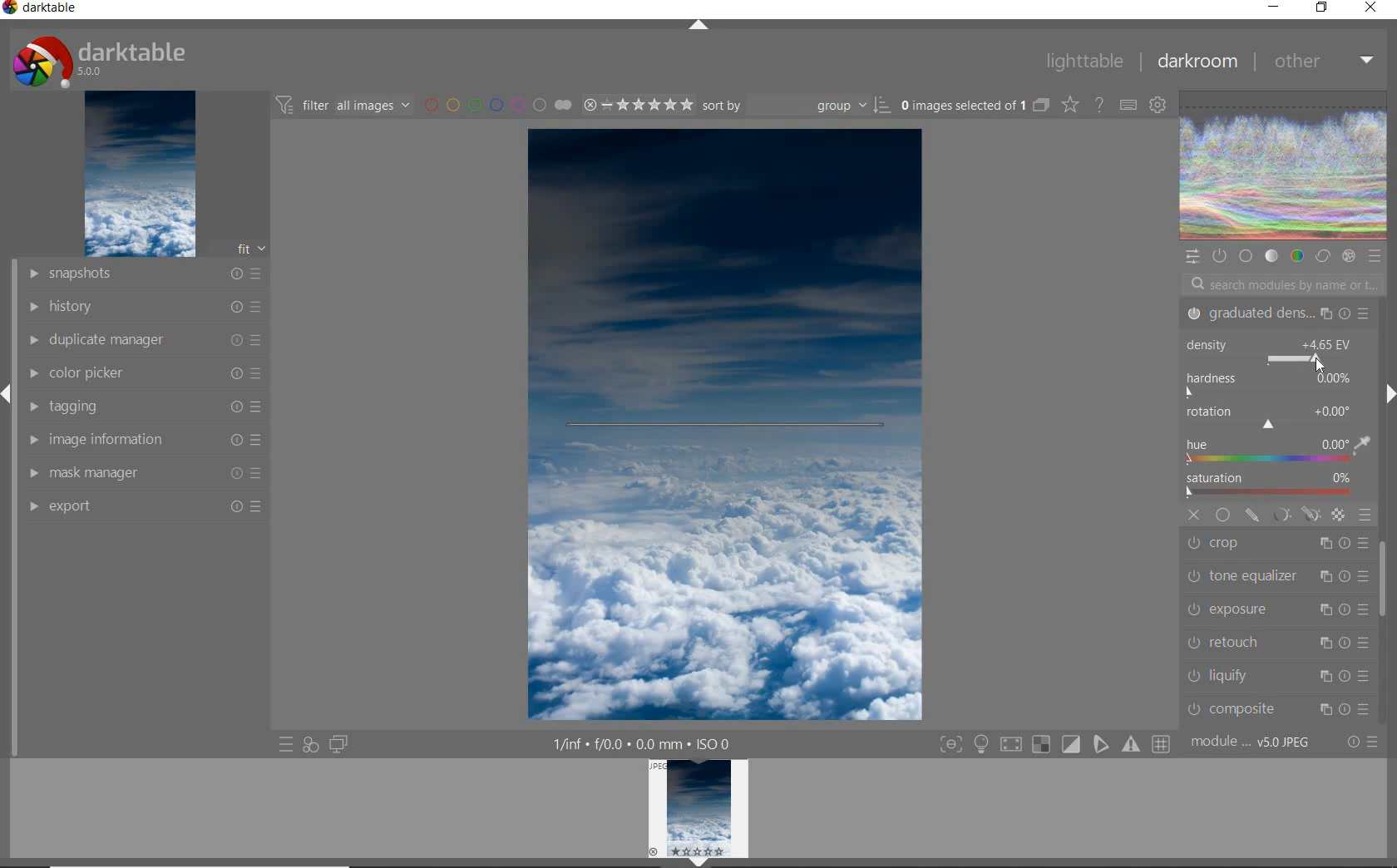 This screenshot has height=868, width=1397. Describe the element at coordinates (1272, 386) in the screenshot. I see `hardness` at that location.